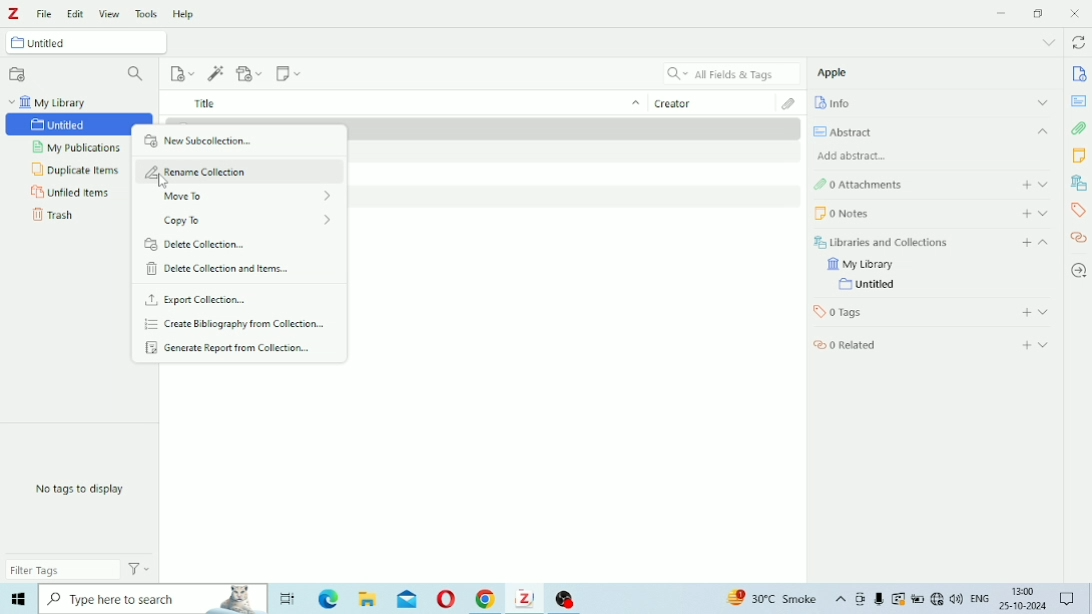 The width and height of the screenshot is (1092, 614). Describe the element at coordinates (405, 596) in the screenshot. I see `` at that location.